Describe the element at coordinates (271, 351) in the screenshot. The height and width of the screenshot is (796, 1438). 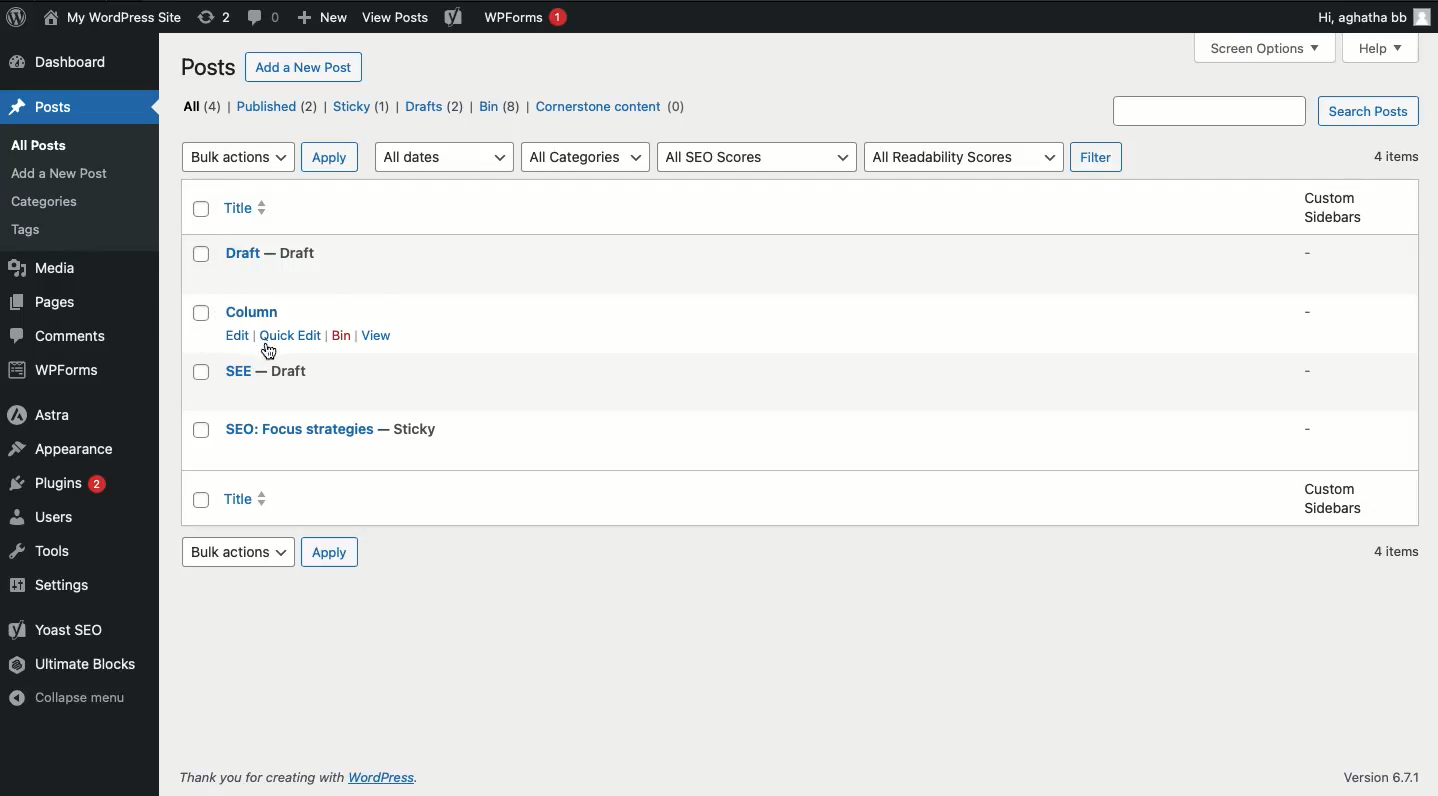
I see `mouse pointer` at that location.